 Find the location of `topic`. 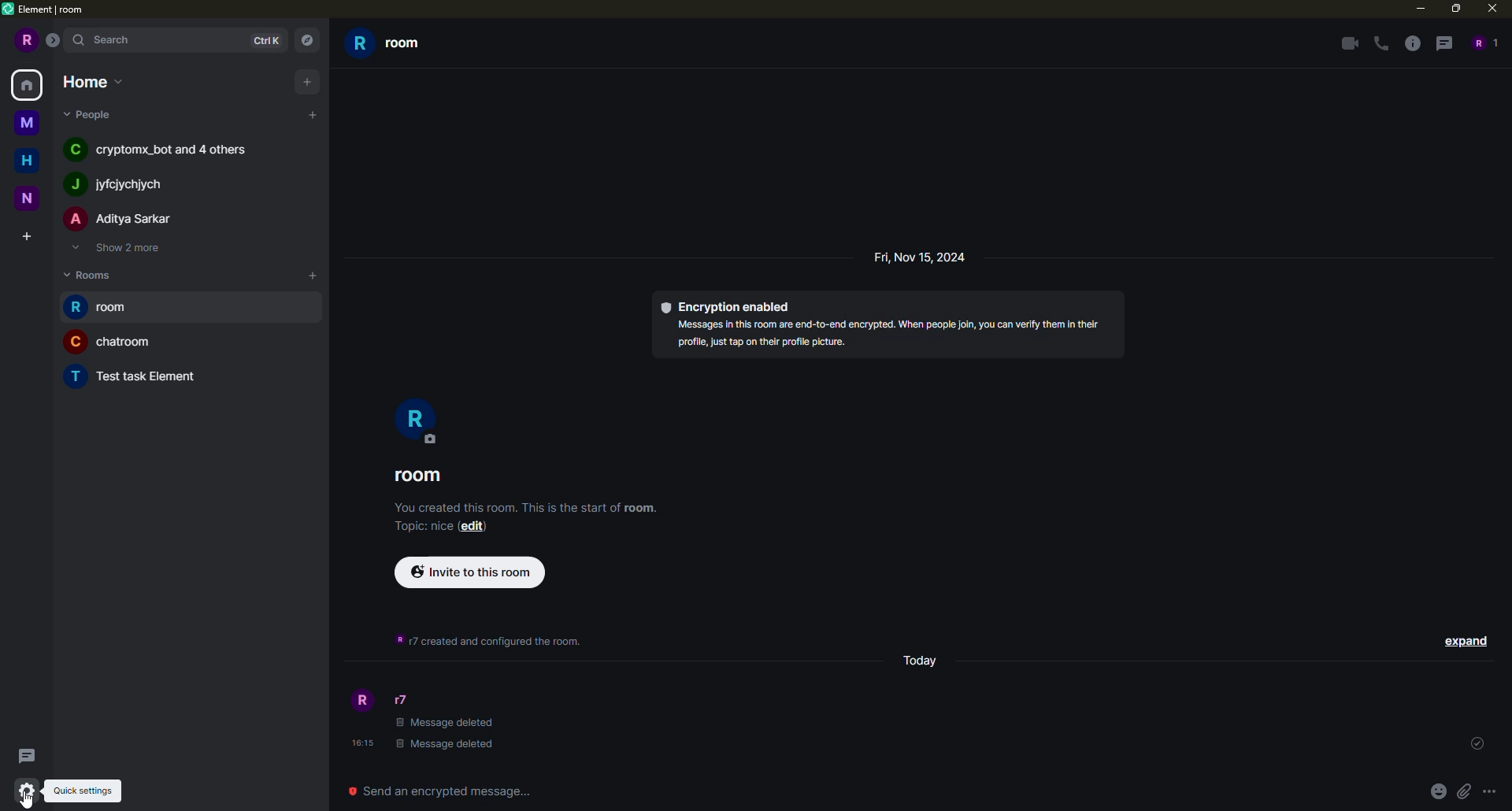

topic is located at coordinates (421, 528).